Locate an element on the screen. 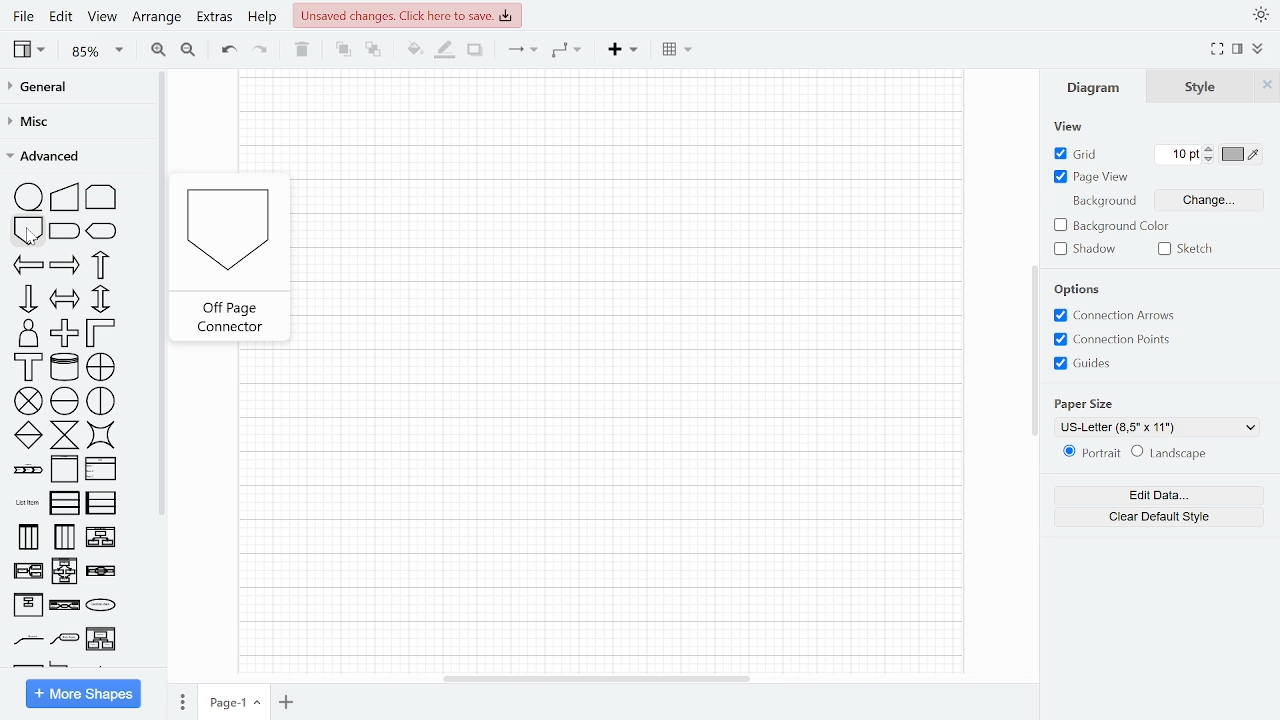 The width and height of the screenshot is (1280, 720). sub topic is located at coordinates (26, 640).